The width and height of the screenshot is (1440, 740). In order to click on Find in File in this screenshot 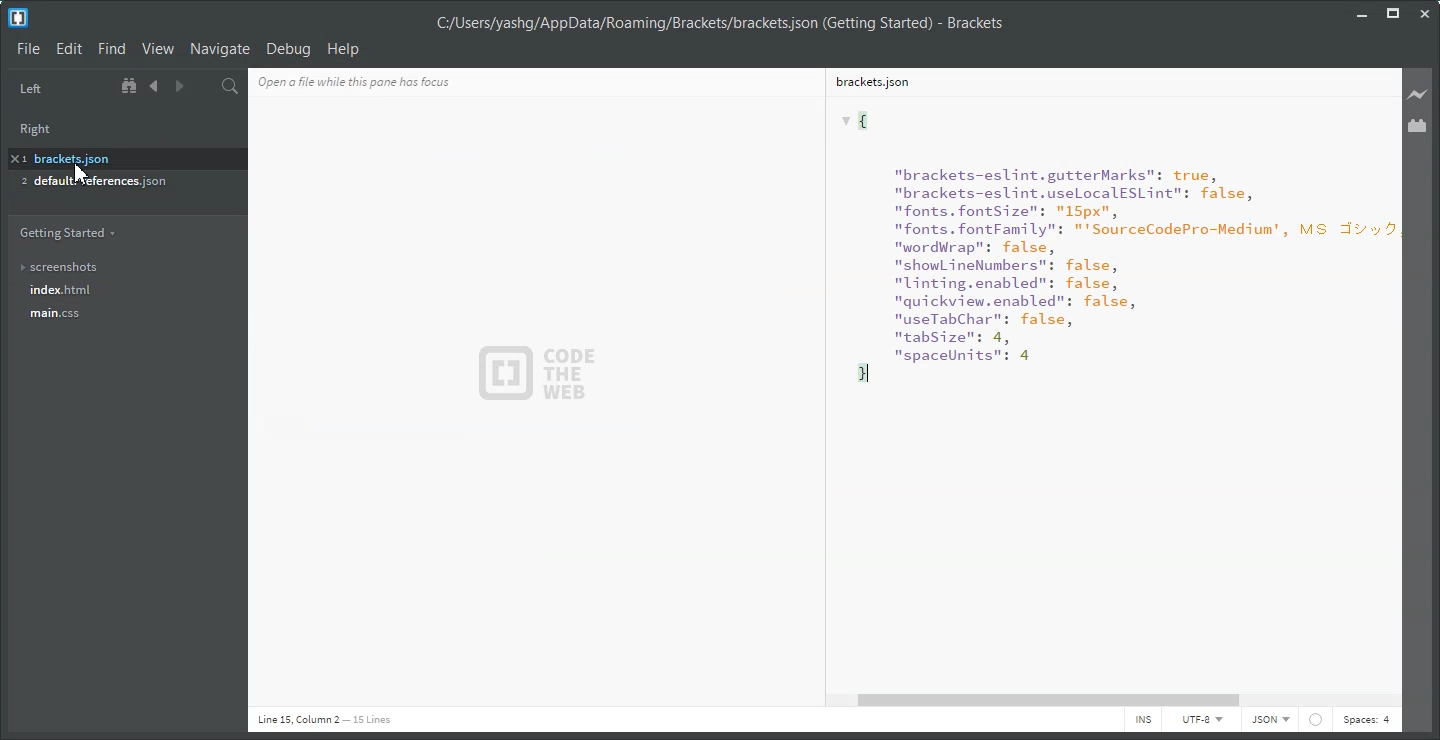, I will do `click(230, 86)`.